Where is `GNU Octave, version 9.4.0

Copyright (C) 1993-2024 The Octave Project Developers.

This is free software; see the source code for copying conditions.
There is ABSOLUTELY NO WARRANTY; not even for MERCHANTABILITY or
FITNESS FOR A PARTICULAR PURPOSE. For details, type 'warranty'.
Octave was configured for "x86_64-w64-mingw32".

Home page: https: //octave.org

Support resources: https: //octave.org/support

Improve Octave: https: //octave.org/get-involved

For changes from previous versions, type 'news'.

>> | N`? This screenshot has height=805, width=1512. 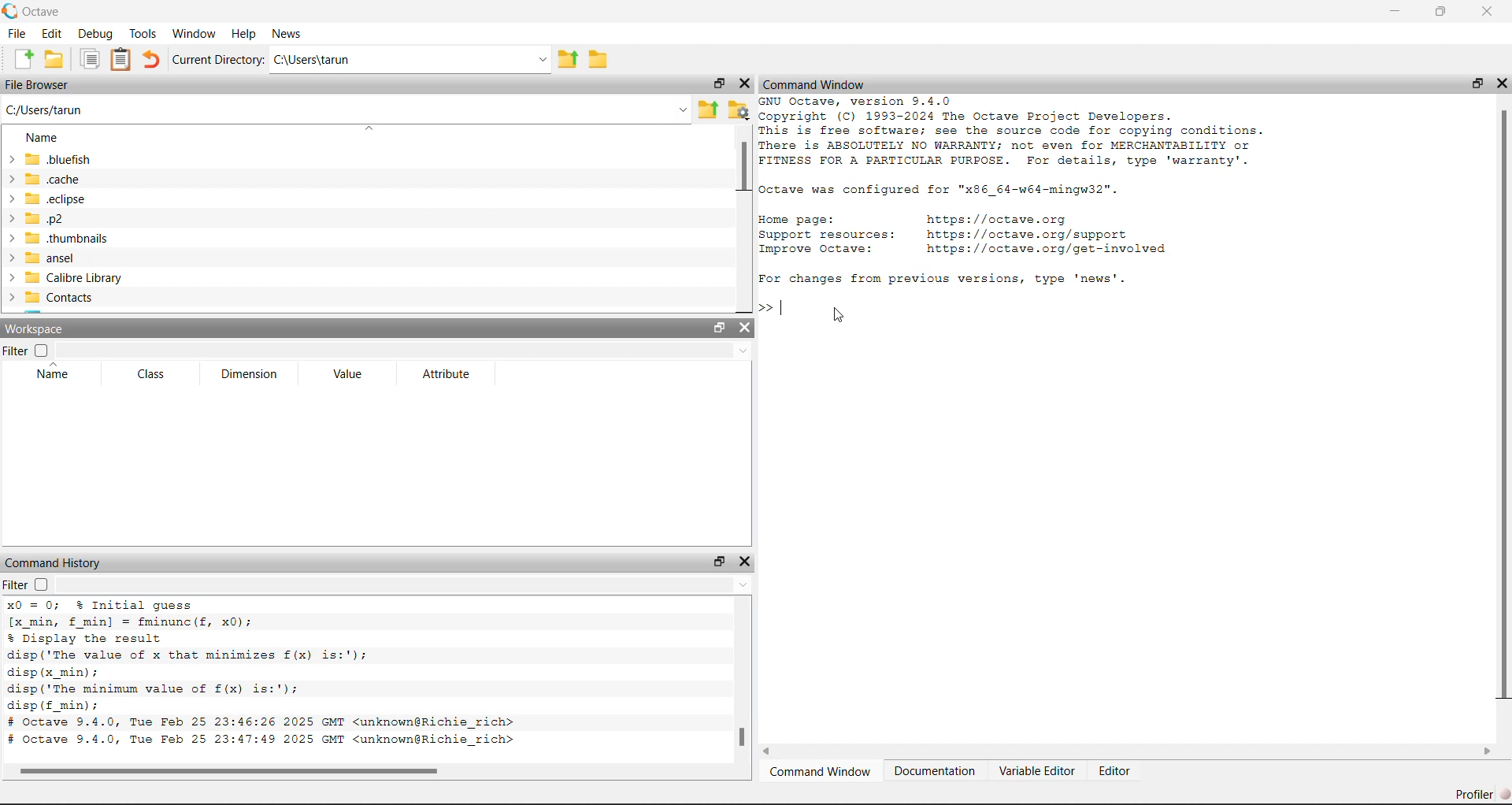
GNU Octave, version 9.4.0

Copyright (C) 1993-2024 The Octave Project Developers.

This is free software; see the source code for copying conditions.
There is ABSOLUTELY NO WARRANTY; not even for MERCHANTABILITY or
FITNESS FOR A PARTICULAR PURPOSE. For details, type 'warranty'.
Octave was configured for "x86_64-w64-mingw32".

Home page: https: //octave.org

Support resources: https: //octave.org/support

Improve Octave: https: //octave.org/get-involved

For changes from previous versions, type 'news'.

>> | N is located at coordinates (1026, 191).